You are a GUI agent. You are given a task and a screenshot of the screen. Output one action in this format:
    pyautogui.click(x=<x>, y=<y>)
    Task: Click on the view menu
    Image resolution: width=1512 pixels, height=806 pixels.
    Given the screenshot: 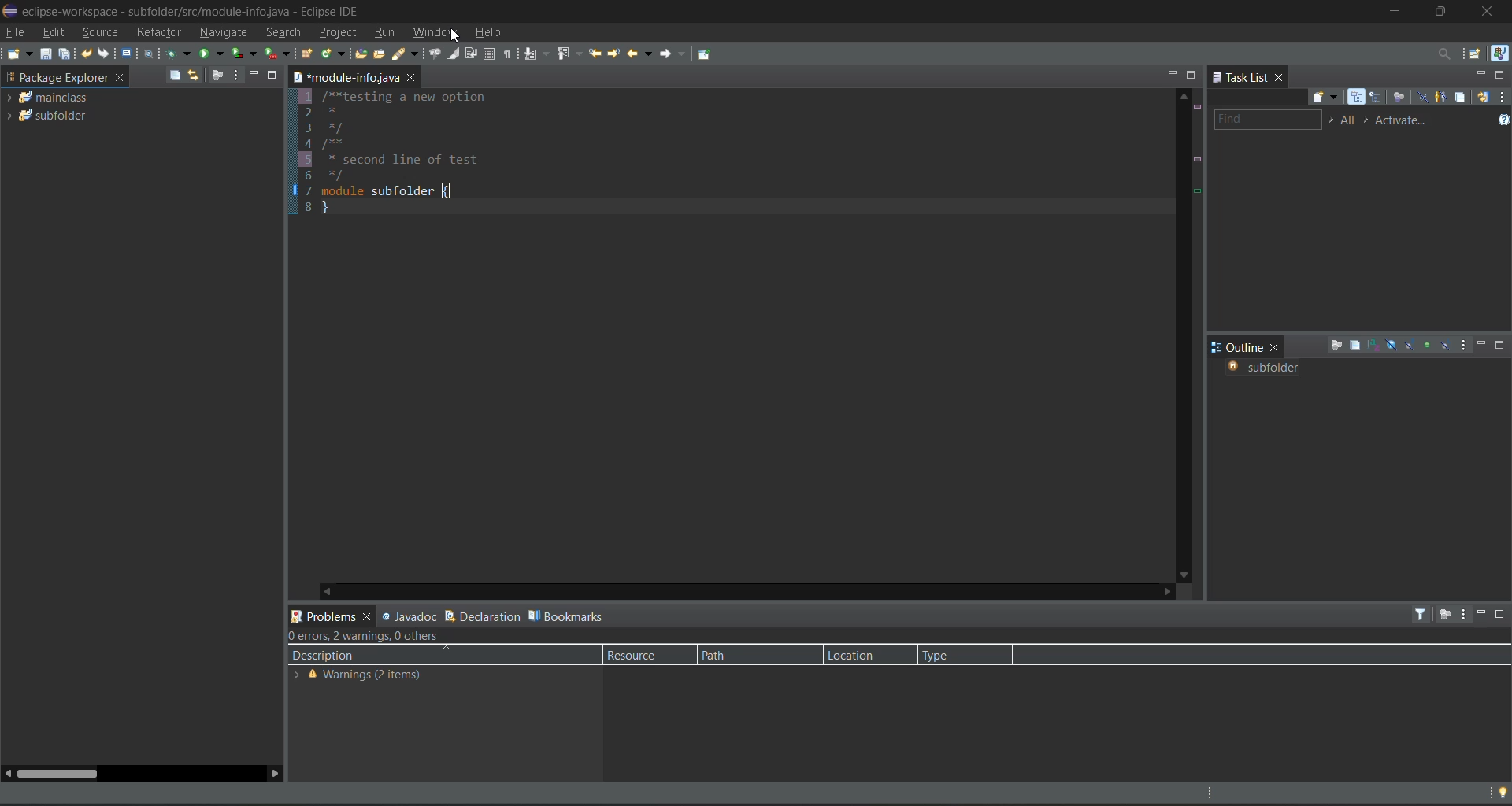 What is the action you would take?
    pyautogui.click(x=1467, y=346)
    